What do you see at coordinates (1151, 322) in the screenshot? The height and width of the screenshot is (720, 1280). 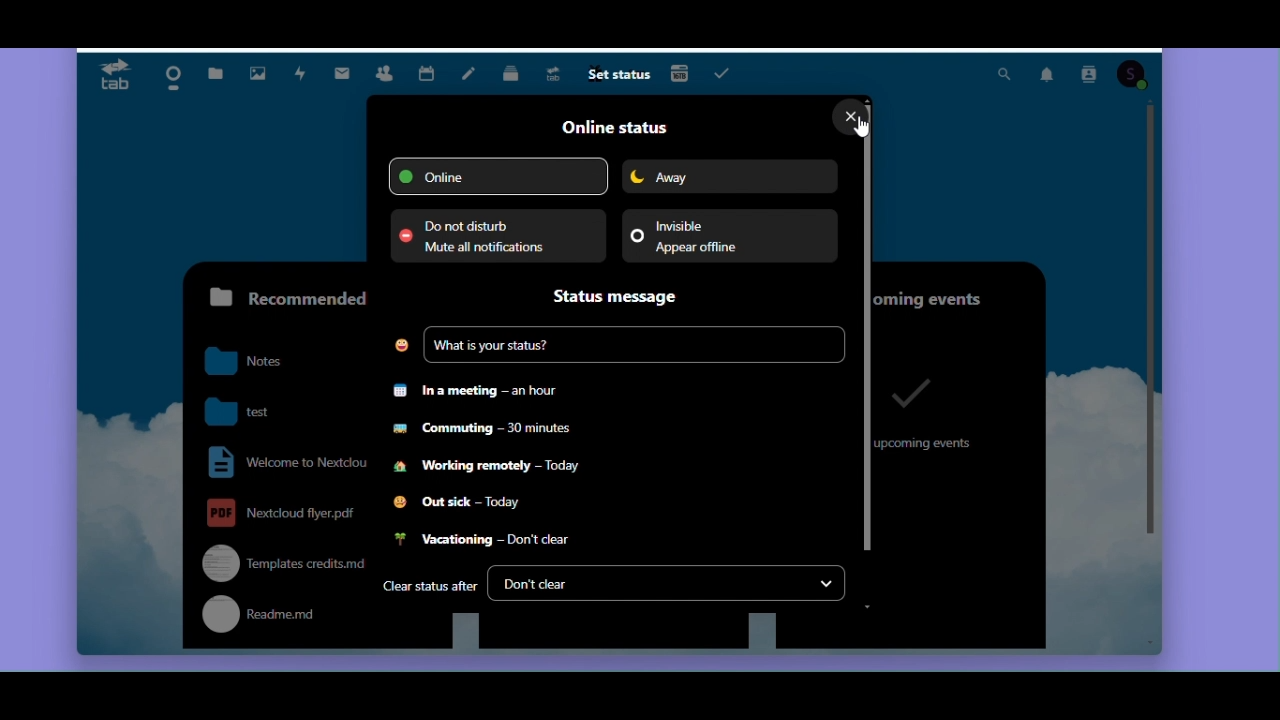 I see `Vertical scrollbar` at bounding box center [1151, 322].